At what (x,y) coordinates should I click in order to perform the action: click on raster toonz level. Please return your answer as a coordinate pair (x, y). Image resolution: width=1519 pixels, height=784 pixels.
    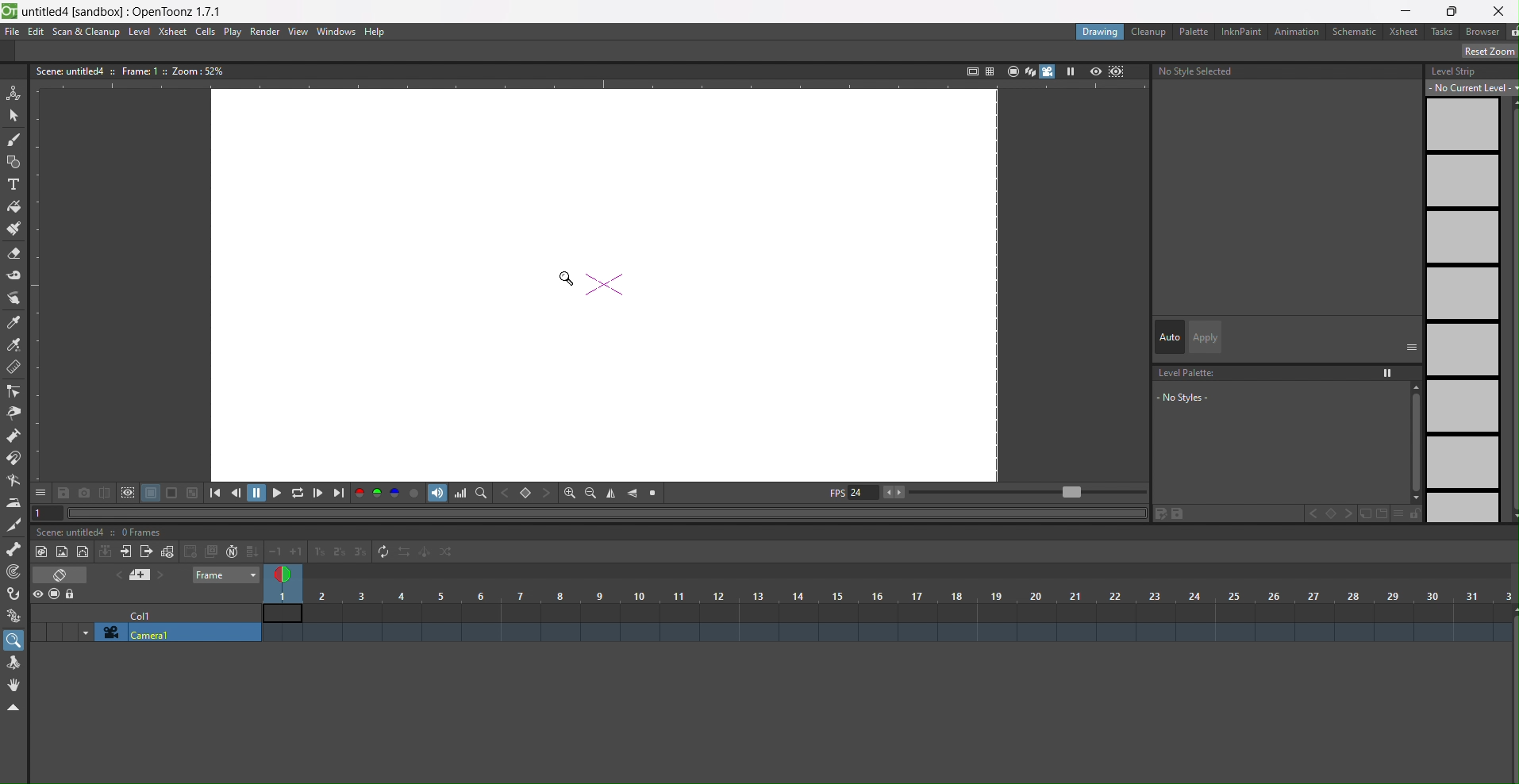
    Looking at the image, I should click on (40, 551).